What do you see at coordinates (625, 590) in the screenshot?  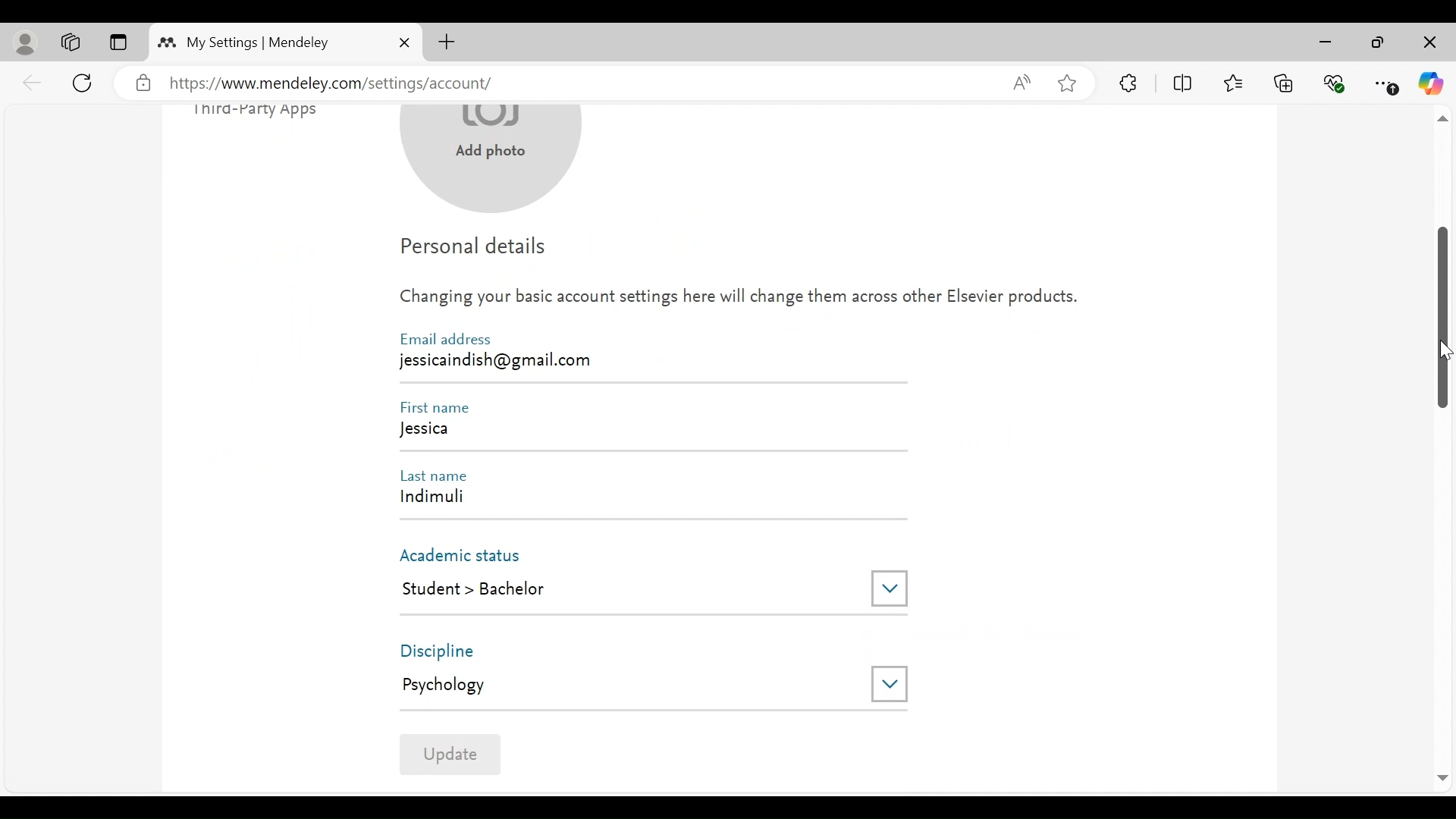 I see `Student > Bachelor` at bounding box center [625, 590].